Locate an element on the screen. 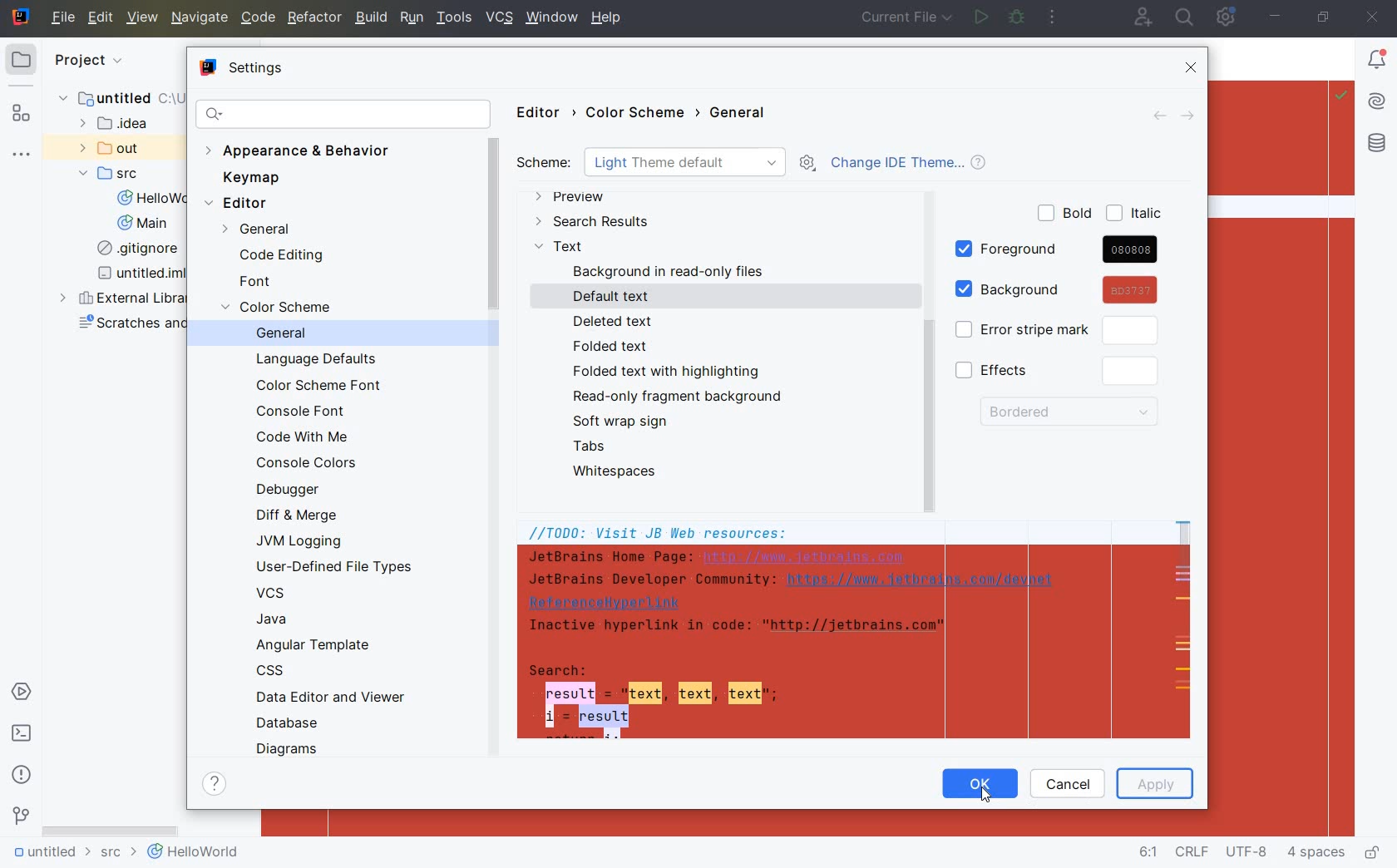 The image size is (1397, 868). ERROR STRIPE MARK is located at coordinates (1018, 331).